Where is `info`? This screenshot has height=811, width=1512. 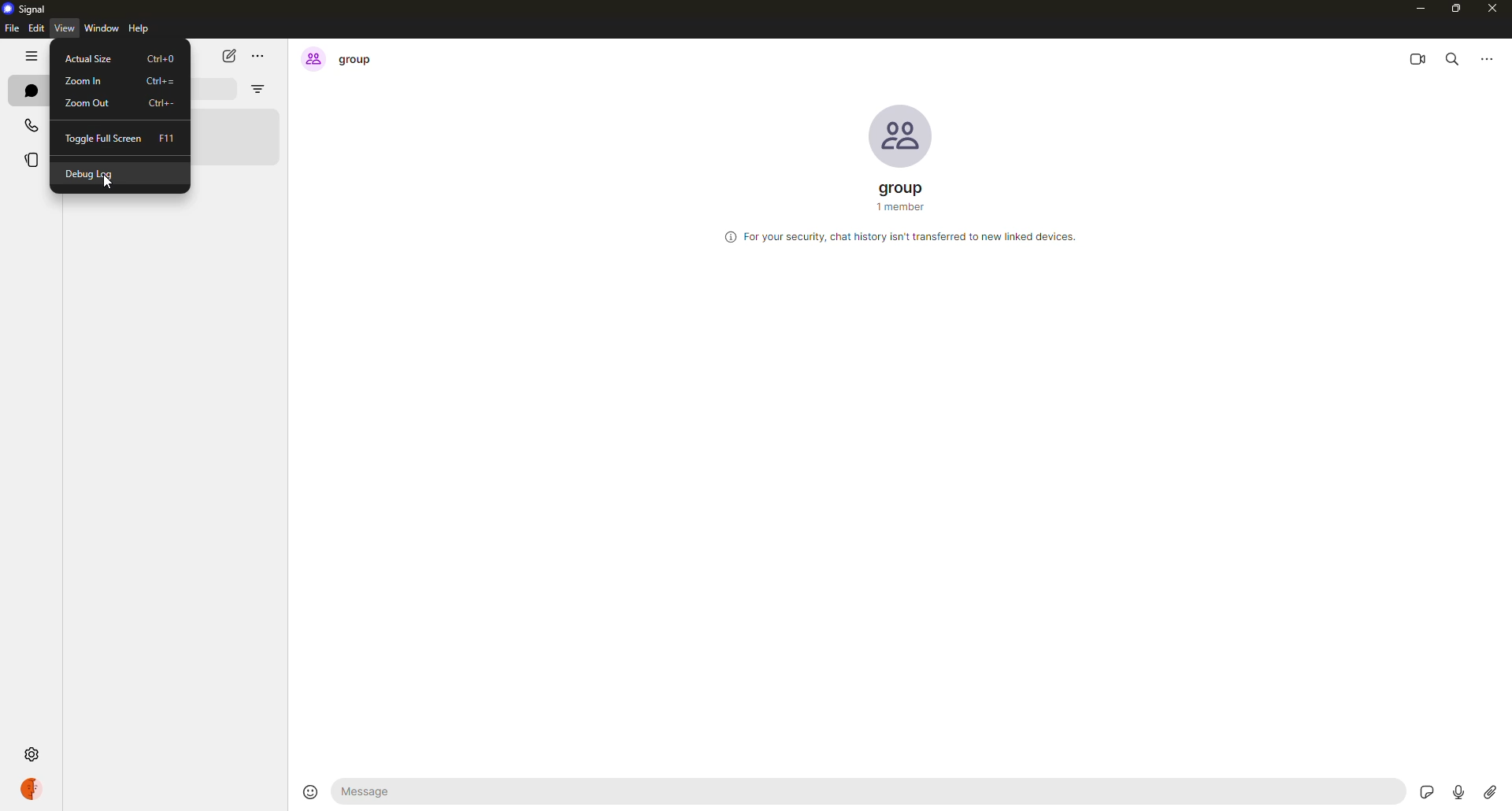
info is located at coordinates (899, 238).